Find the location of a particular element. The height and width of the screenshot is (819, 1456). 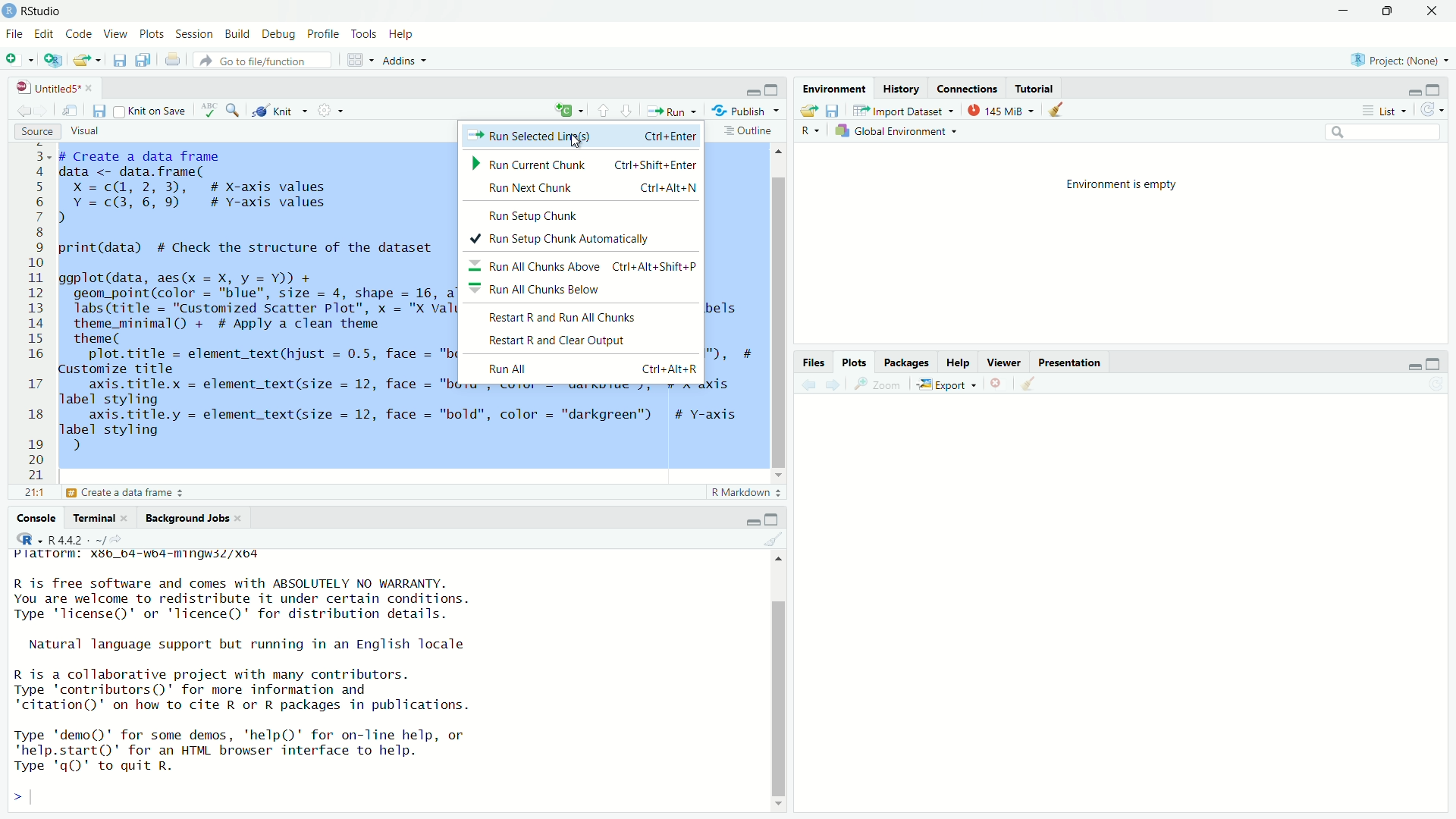

Scrollbar is located at coordinates (777, 687).